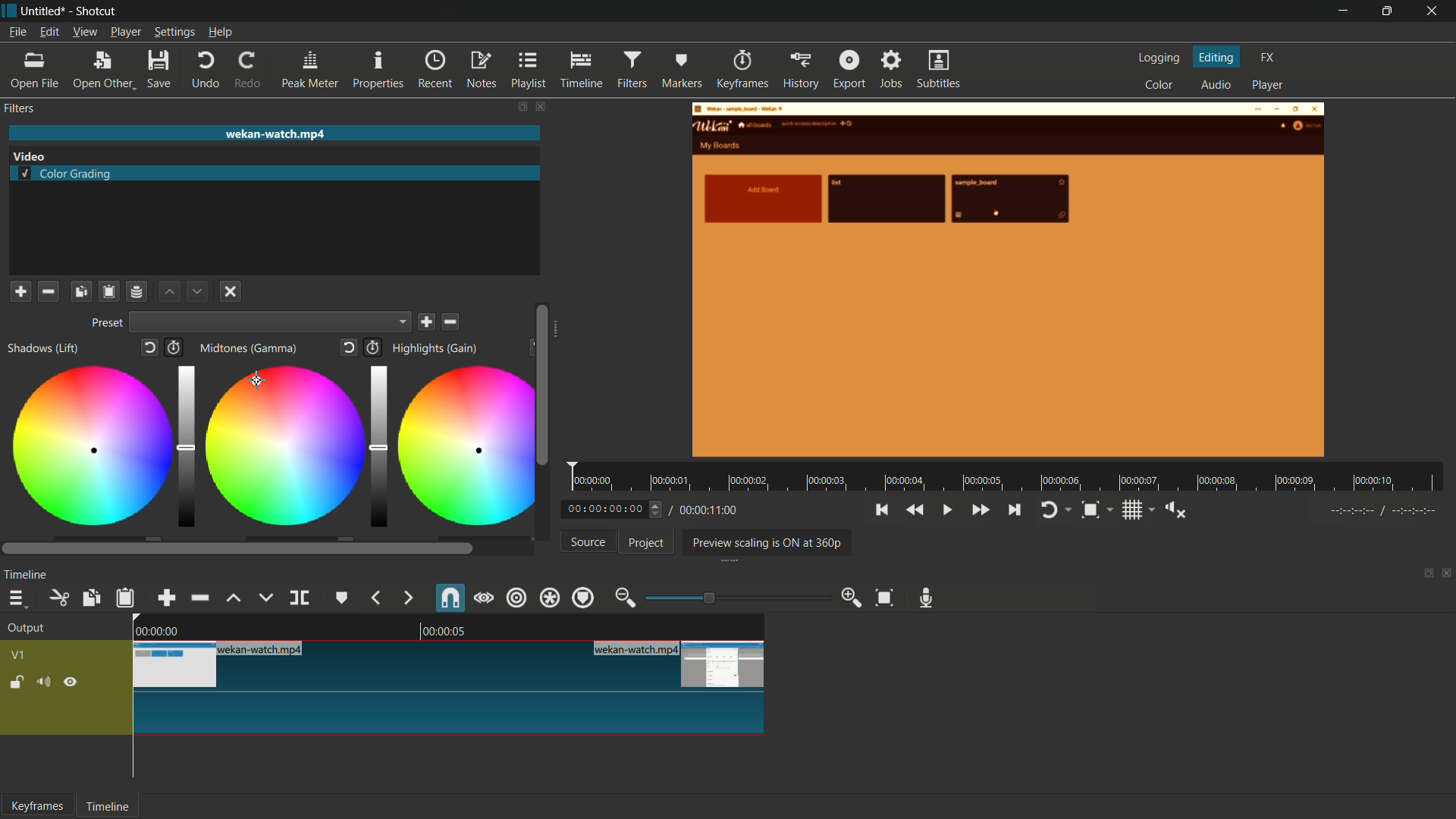  What do you see at coordinates (275, 133) in the screenshot?
I see `imported file name` at bounding box center [275, 133].